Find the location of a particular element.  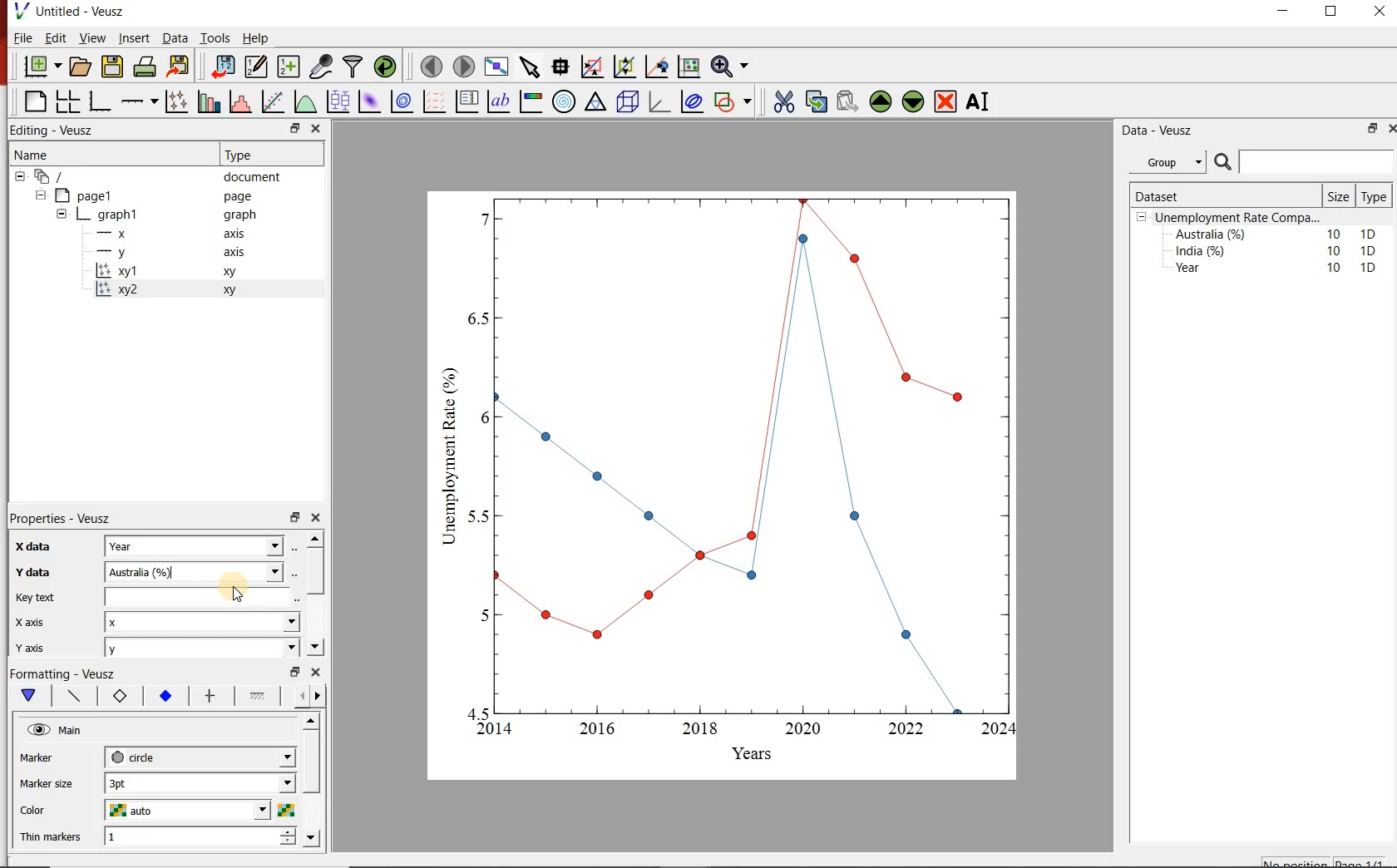

click or draw rectangle on the zoom graph axes is located at coordinates (593, 67).